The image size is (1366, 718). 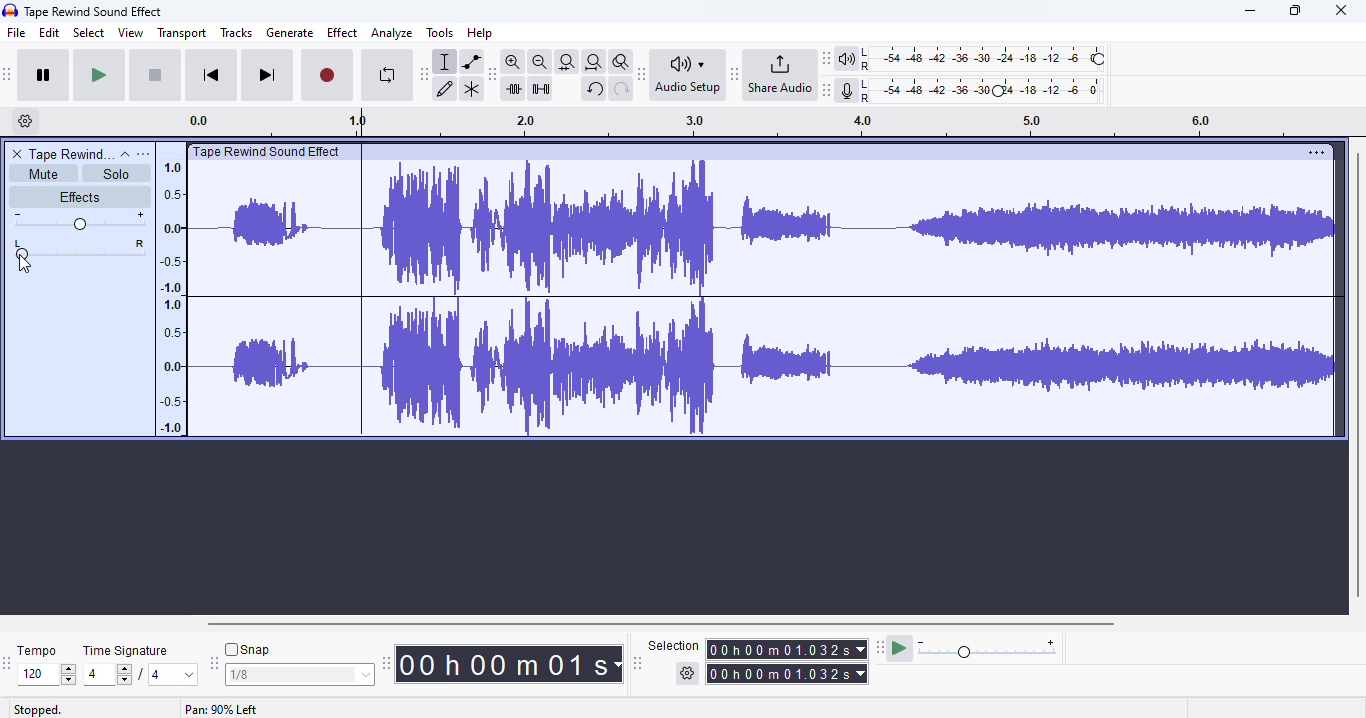 I want to click on stop, so click(x=155, y=76).